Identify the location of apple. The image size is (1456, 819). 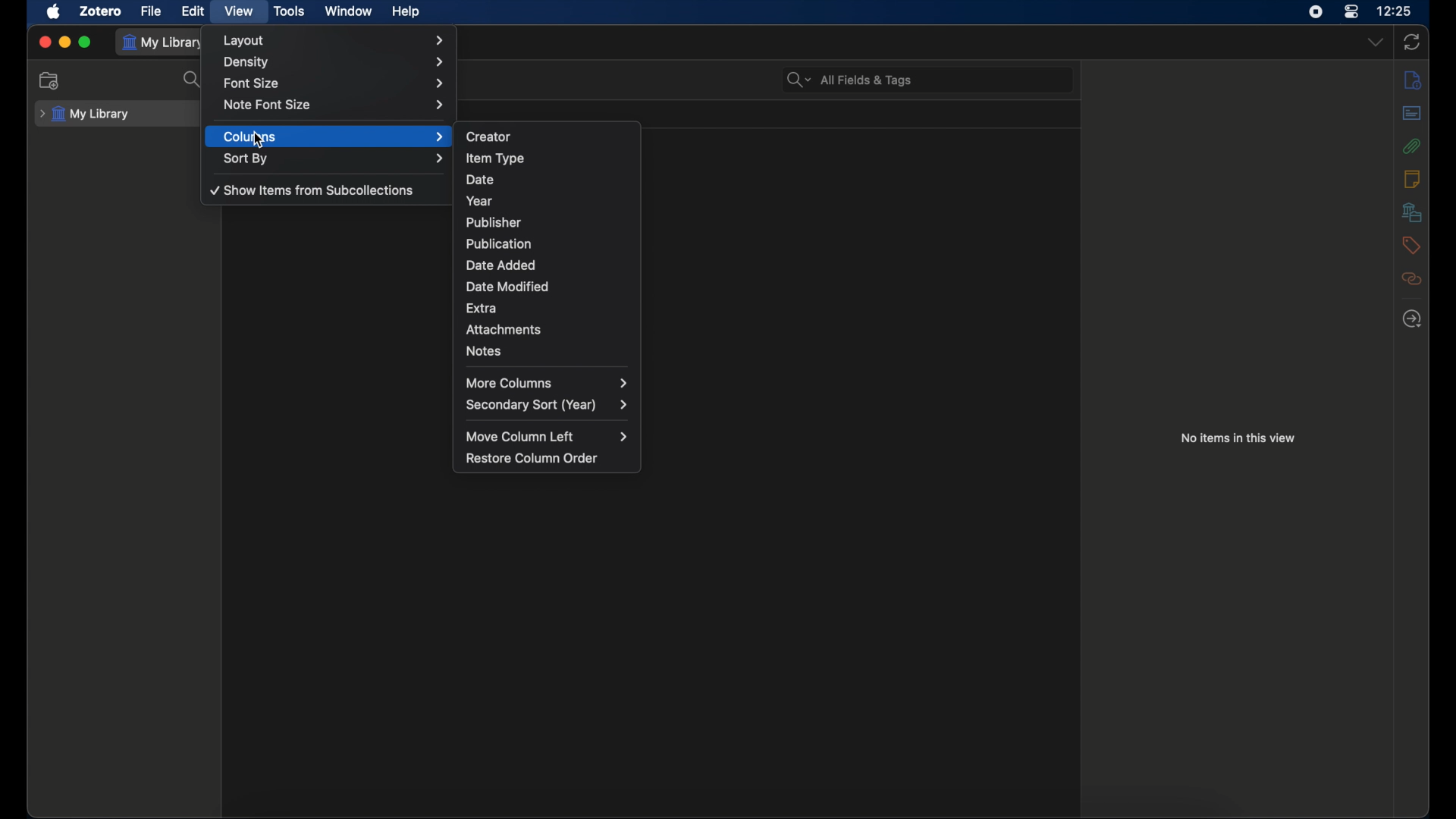
(53, 12).